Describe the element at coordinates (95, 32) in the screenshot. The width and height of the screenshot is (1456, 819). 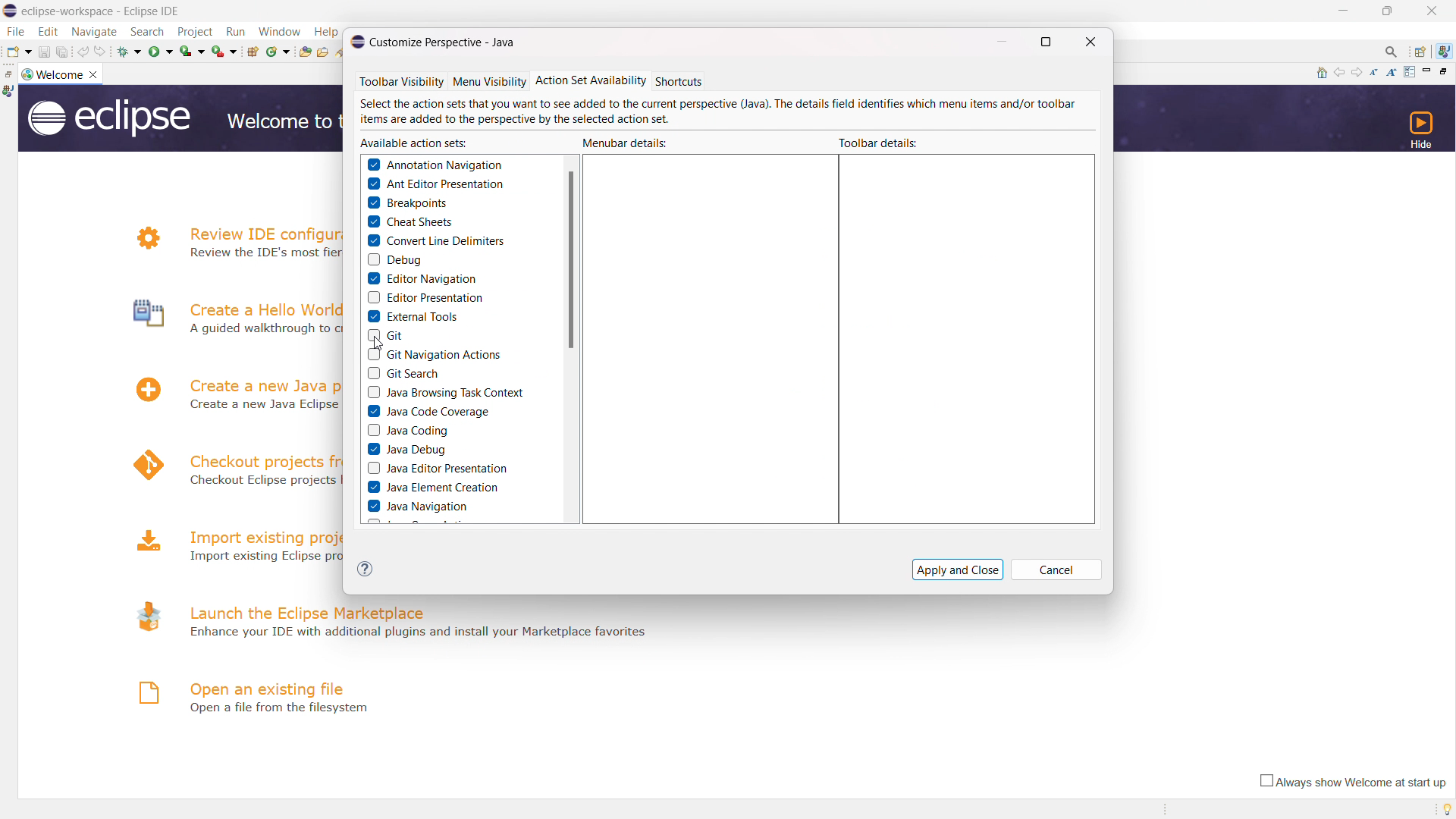
I see `navigate` at that location.